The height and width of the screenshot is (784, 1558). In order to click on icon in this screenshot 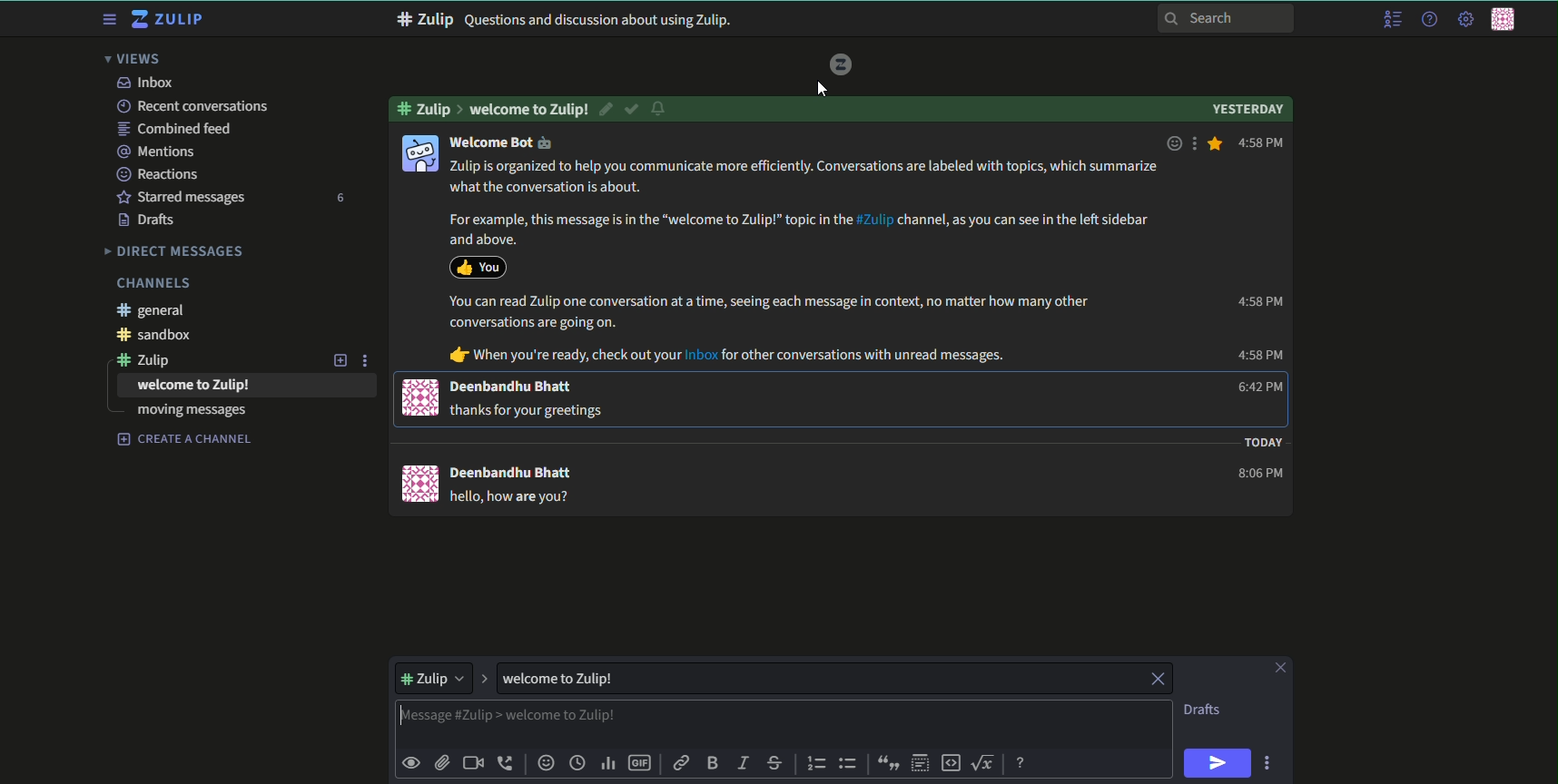, I will do `click(419, 481)`.